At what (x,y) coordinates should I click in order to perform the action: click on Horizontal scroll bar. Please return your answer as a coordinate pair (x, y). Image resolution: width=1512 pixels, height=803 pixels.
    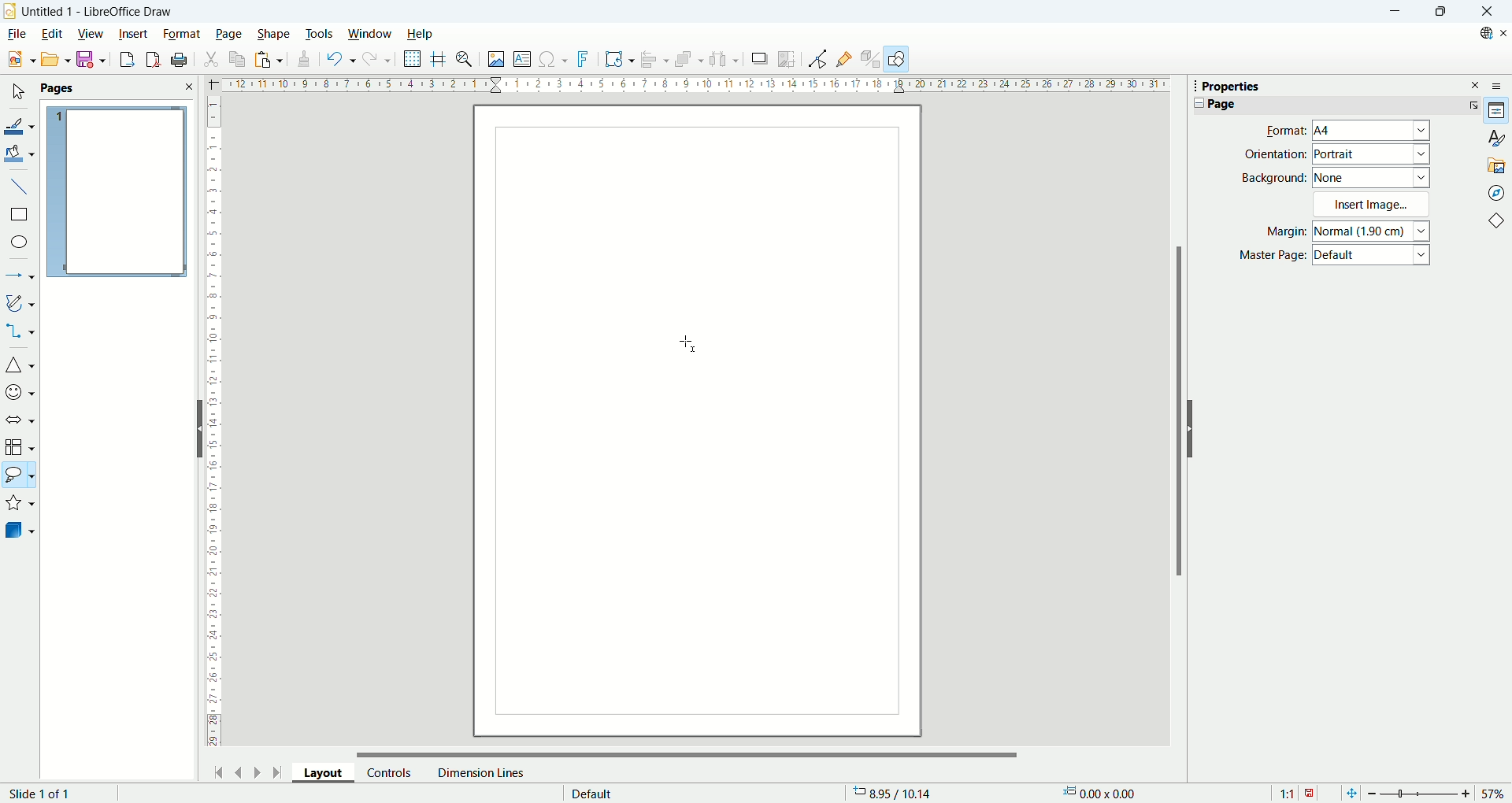
    Looking at the image, I should click on (688, 750).